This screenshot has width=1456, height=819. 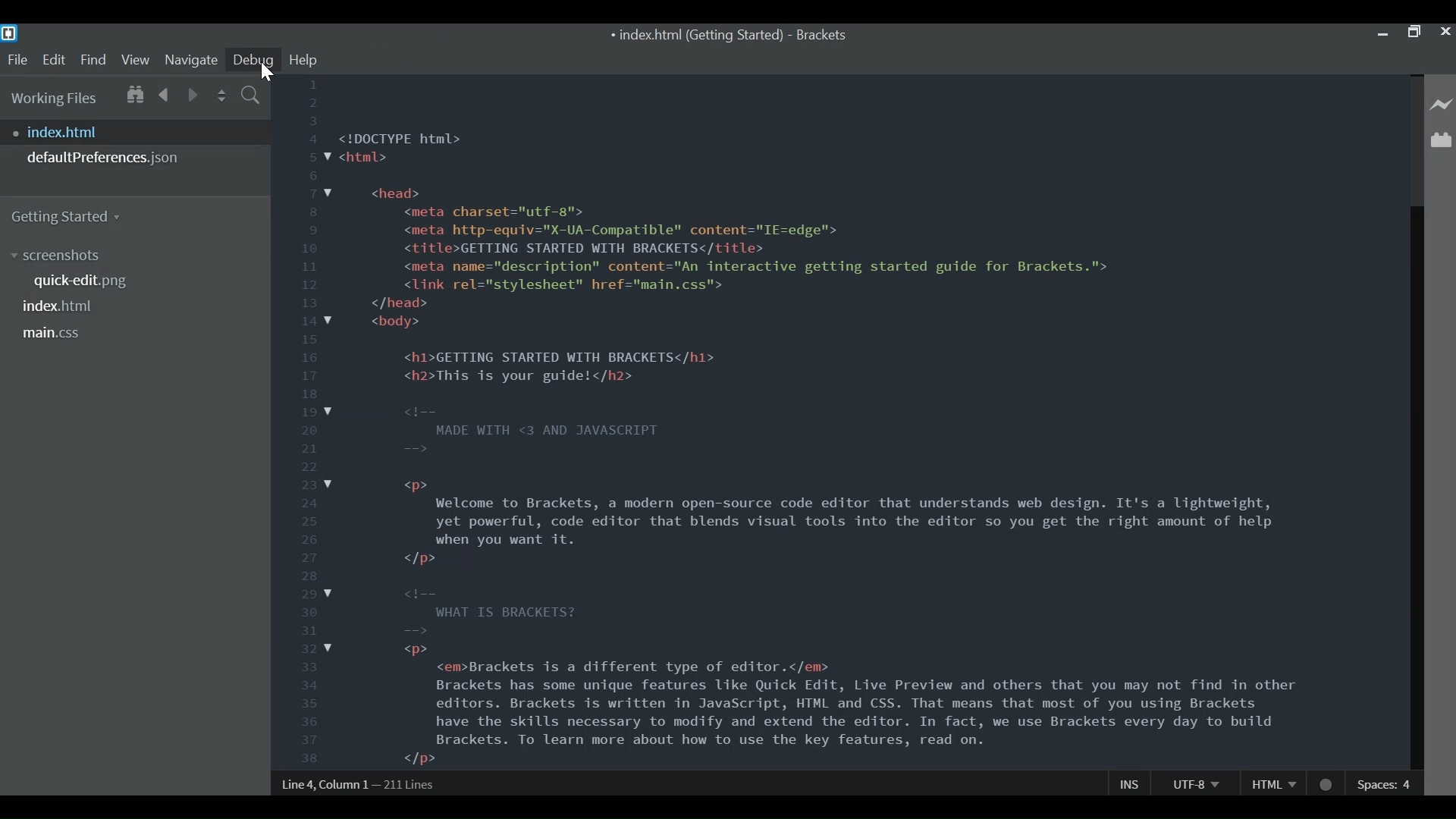 What do you see at coordinates (140, 132) in the screenshot?
I see `index.html` at bounding box center [140, 132].